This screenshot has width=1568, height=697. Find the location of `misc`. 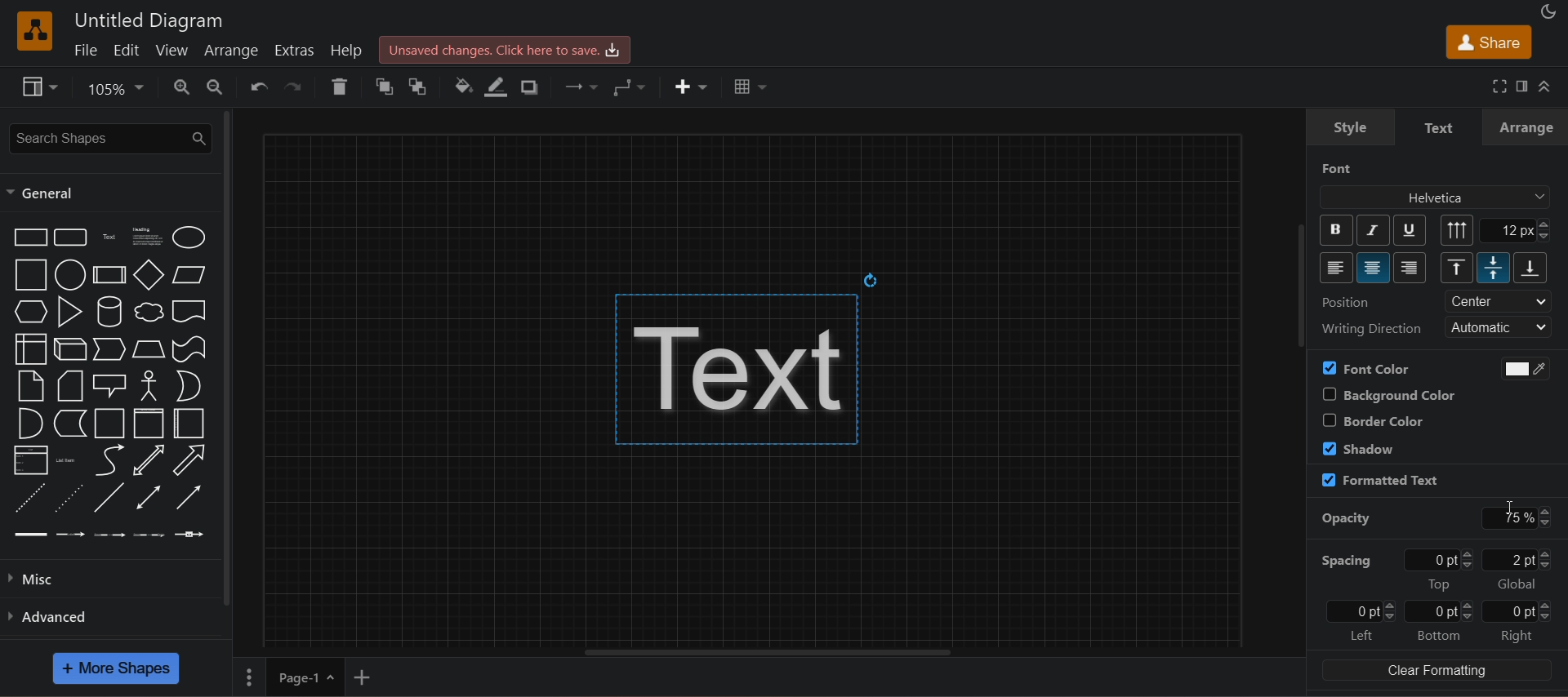

misc is located at coordinates (107, 579).